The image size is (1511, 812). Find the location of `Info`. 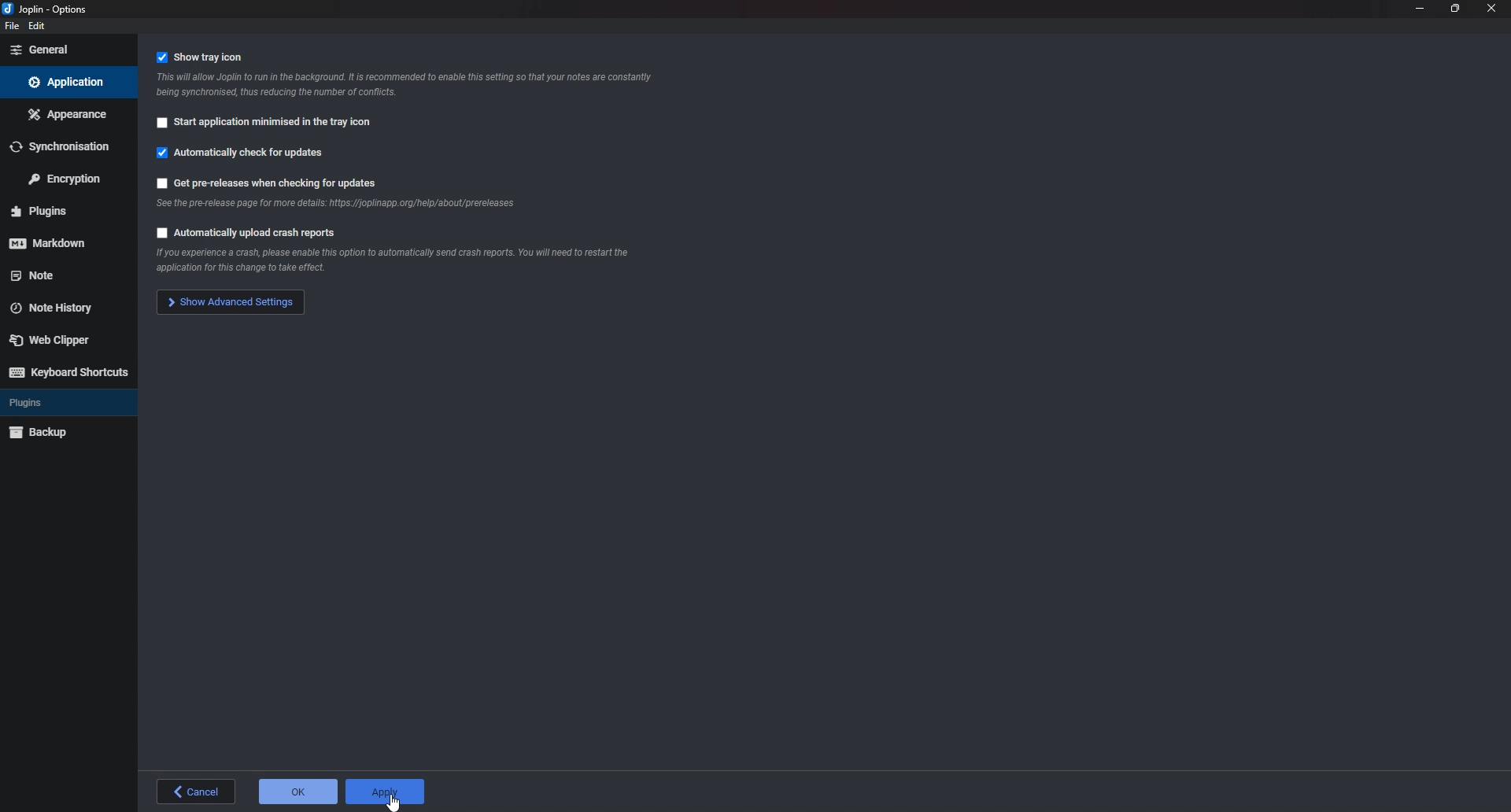

Info is located at coordinates (334, 208).